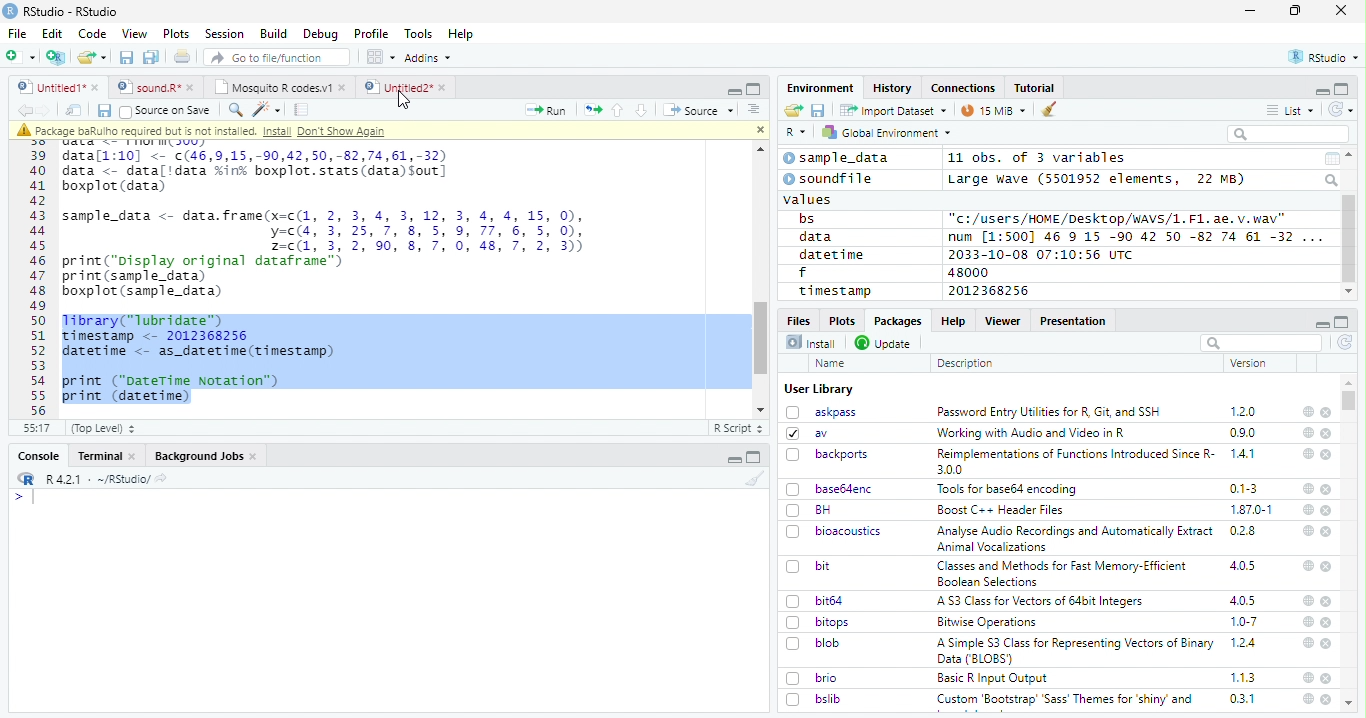 The width and height of the screenshot is (1366, 718). What do you see at coordinates (1036, 88) in the screenshot?
I see `Tutorial` at bounding box center [1036, 88].